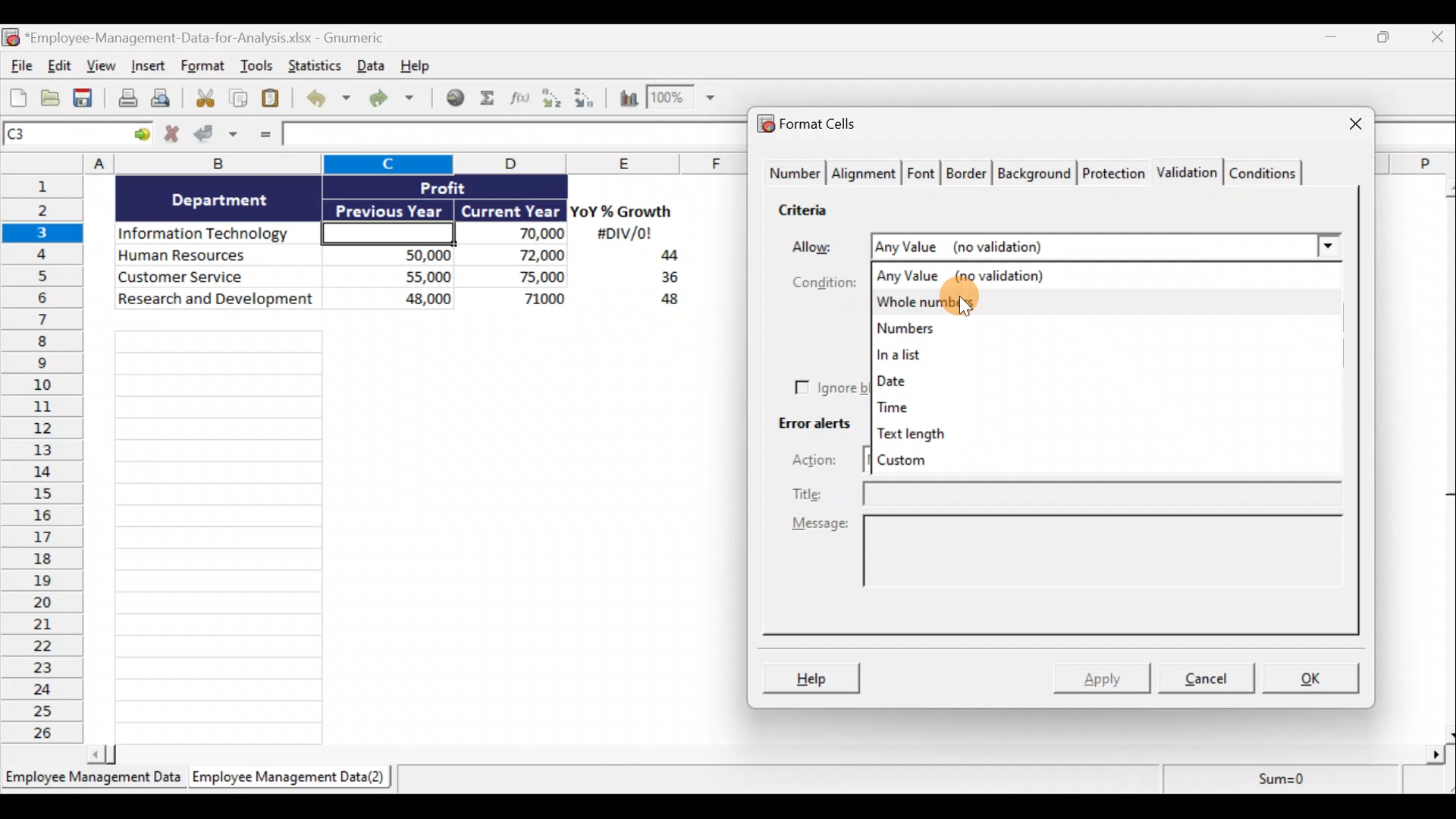 This screenshot has height=819, width=1456. Describe the element at coordinates (313, 65) in the screenshot. I see `Statistics` at that location.